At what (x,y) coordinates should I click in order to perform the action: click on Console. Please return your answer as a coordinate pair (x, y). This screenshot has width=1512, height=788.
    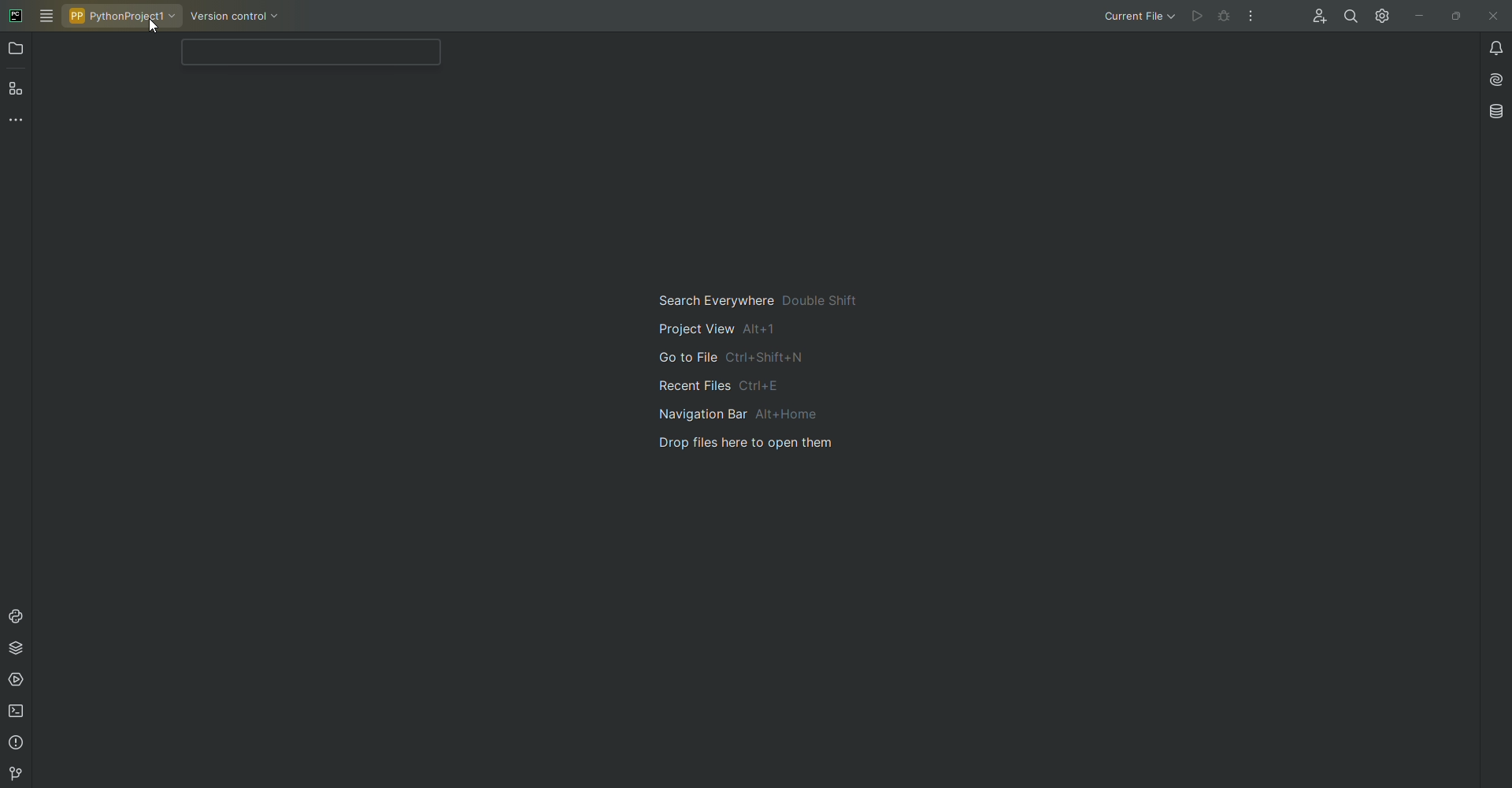
    Looking at the image, I should click on (19, 615).